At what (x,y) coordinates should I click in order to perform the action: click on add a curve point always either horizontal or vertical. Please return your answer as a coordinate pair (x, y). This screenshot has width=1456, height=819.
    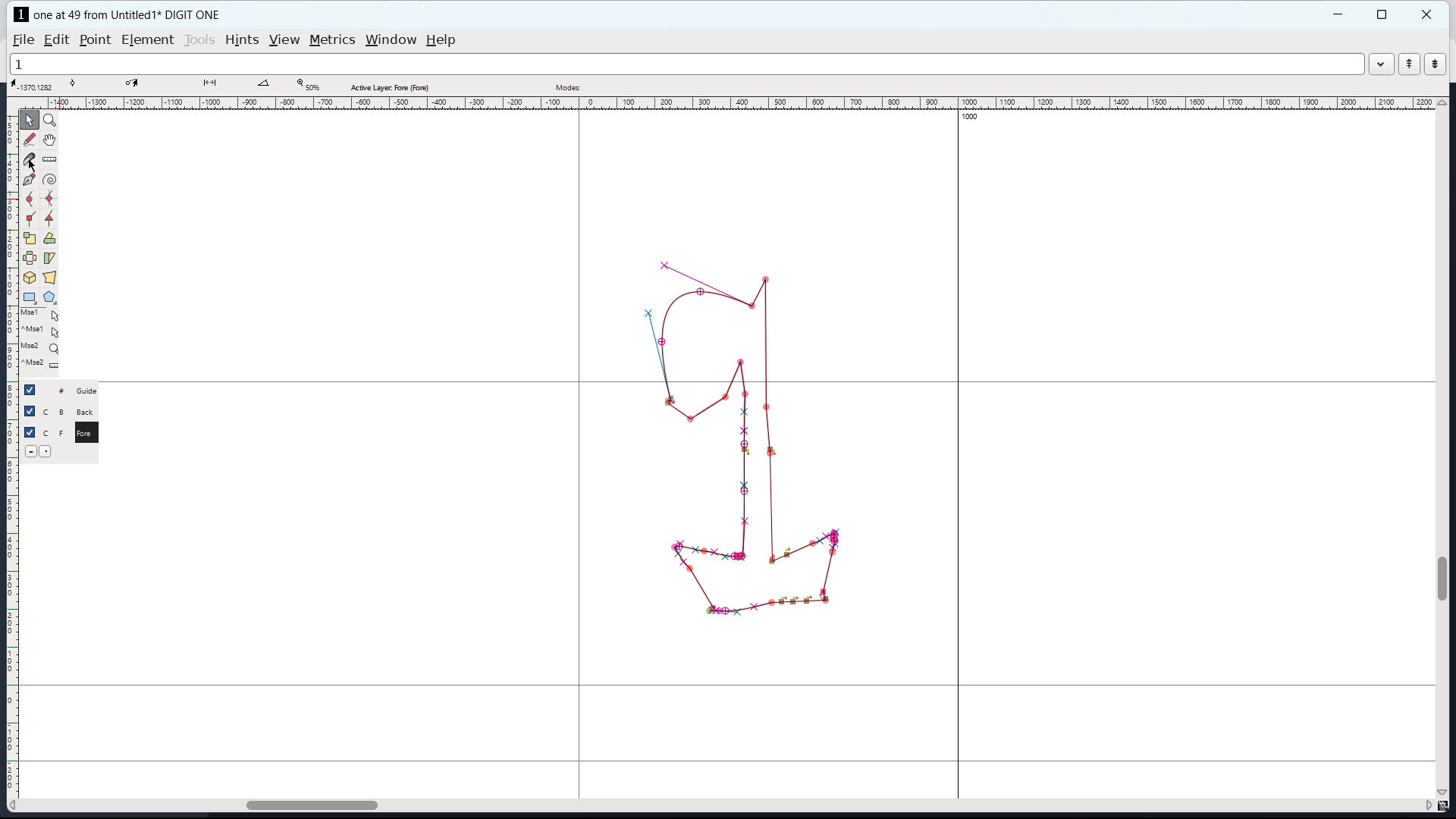
    Looking at the image, I should click on (49, 199).